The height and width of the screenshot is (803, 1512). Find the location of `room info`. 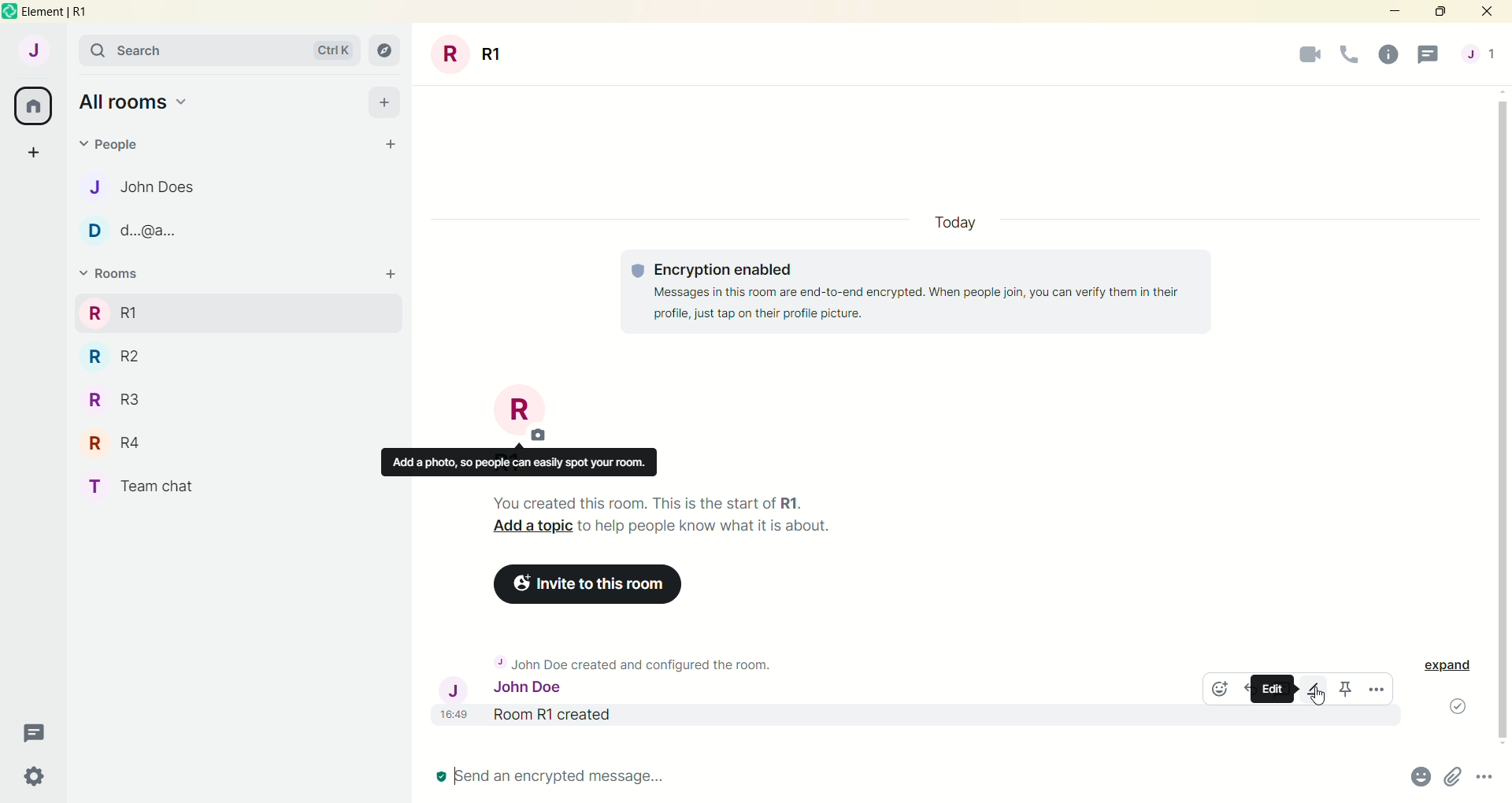

room info is located at coordinates (1388, 56).